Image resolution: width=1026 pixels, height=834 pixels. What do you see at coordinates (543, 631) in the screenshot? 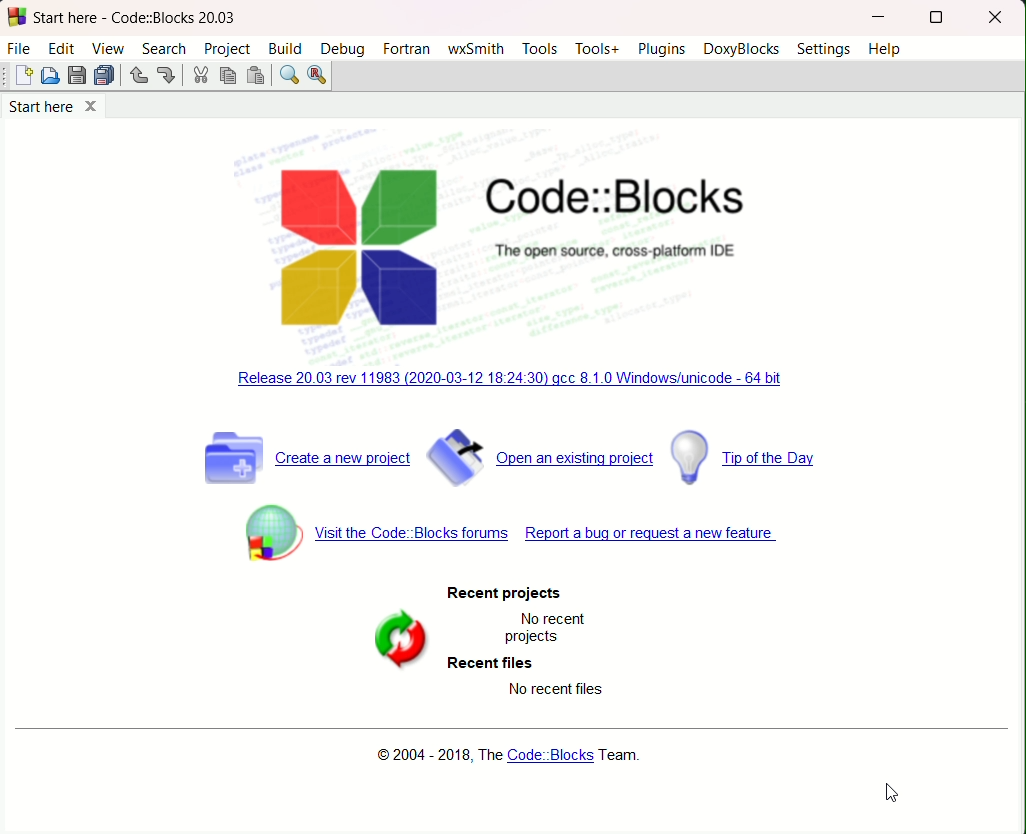
I see `` at bounding box center [543, 631].